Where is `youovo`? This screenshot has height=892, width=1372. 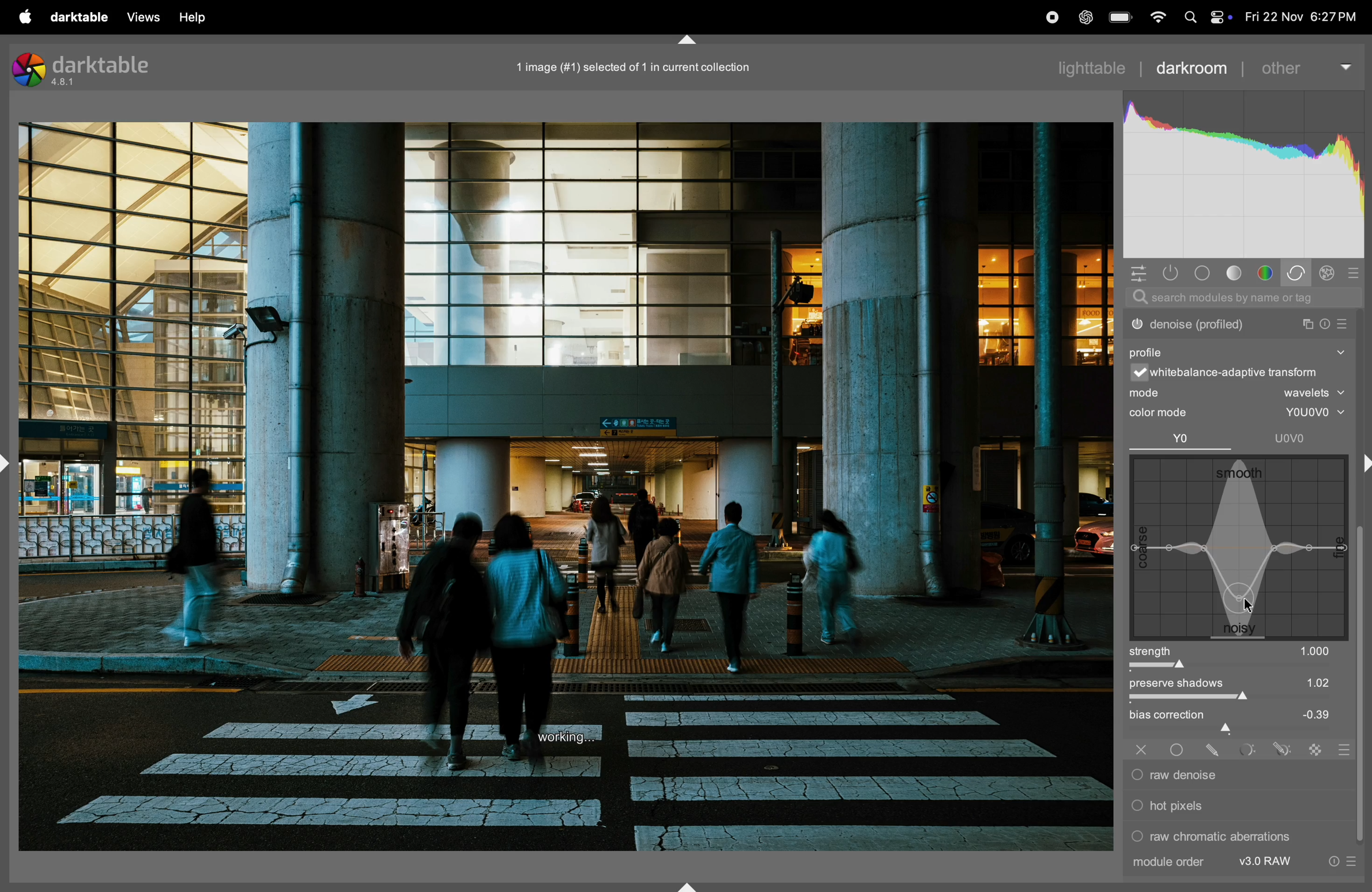 youovo is located at coordinates (1308, 413).